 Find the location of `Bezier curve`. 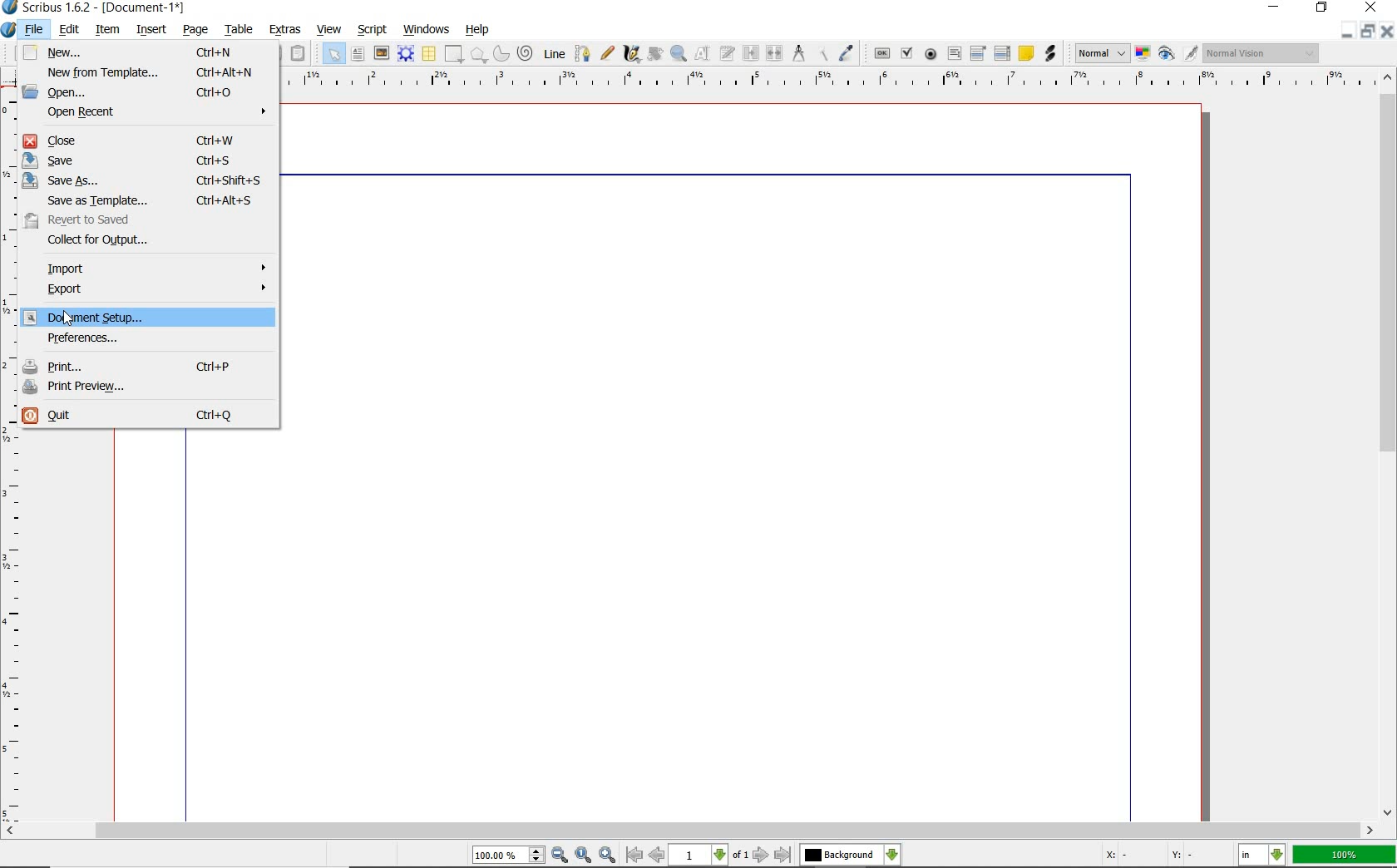

Bezier curve is located at coordinates (582, 53).